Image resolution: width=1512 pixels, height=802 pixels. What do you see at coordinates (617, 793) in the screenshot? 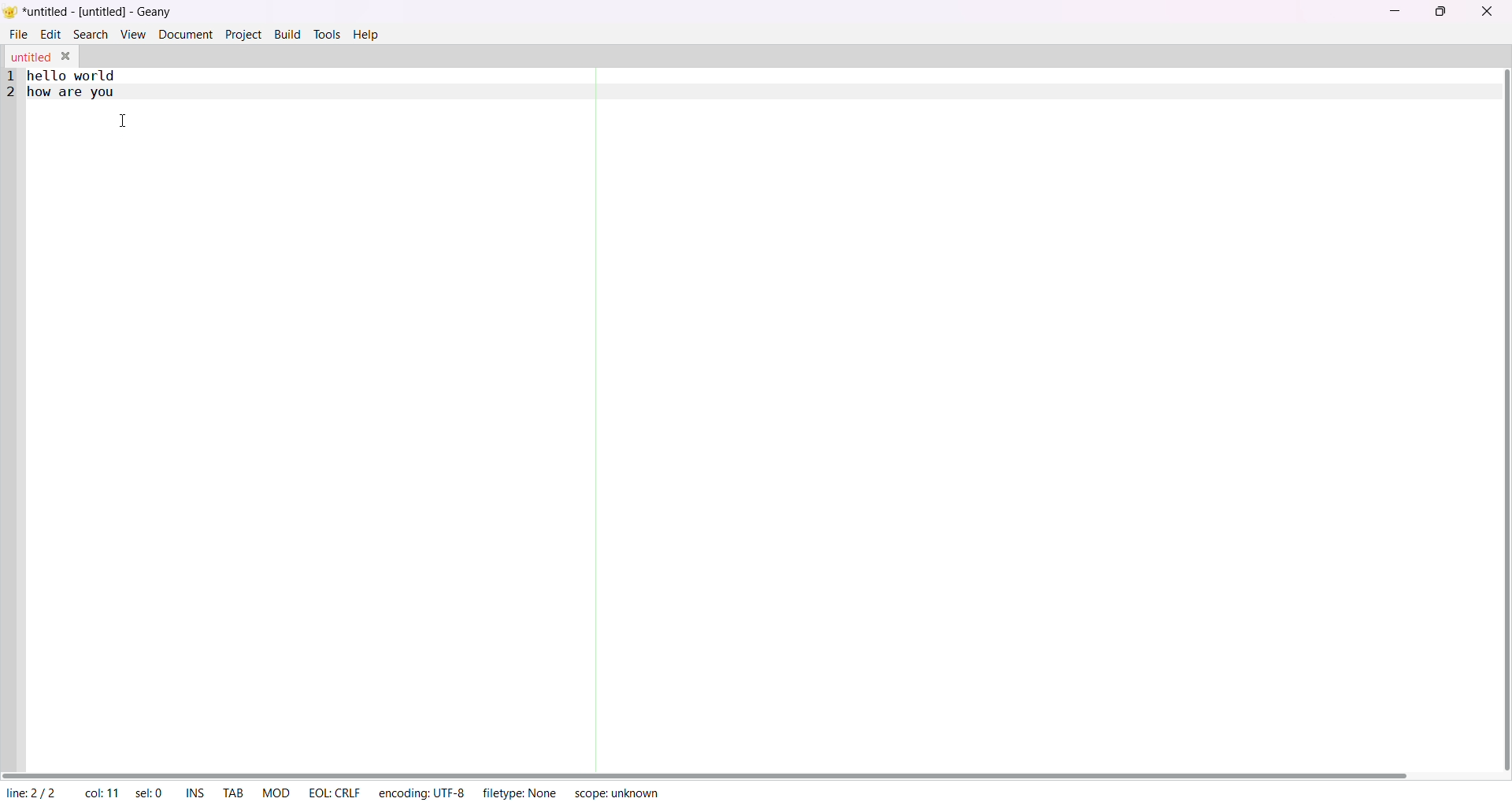
I see `scope` at bounding box center [617, 793].